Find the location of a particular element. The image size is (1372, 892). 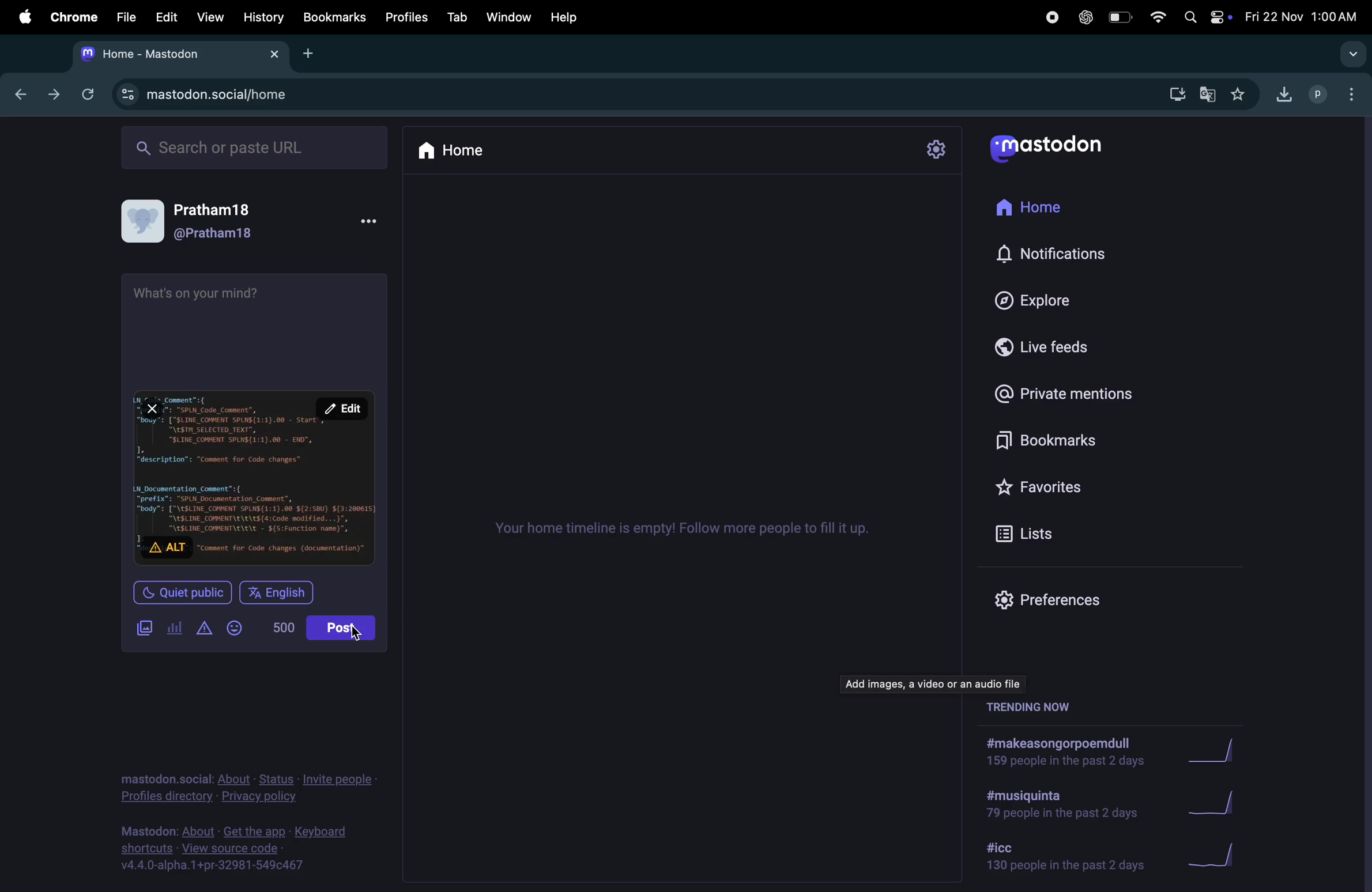

downloads is located at coordinates (1175, 96).